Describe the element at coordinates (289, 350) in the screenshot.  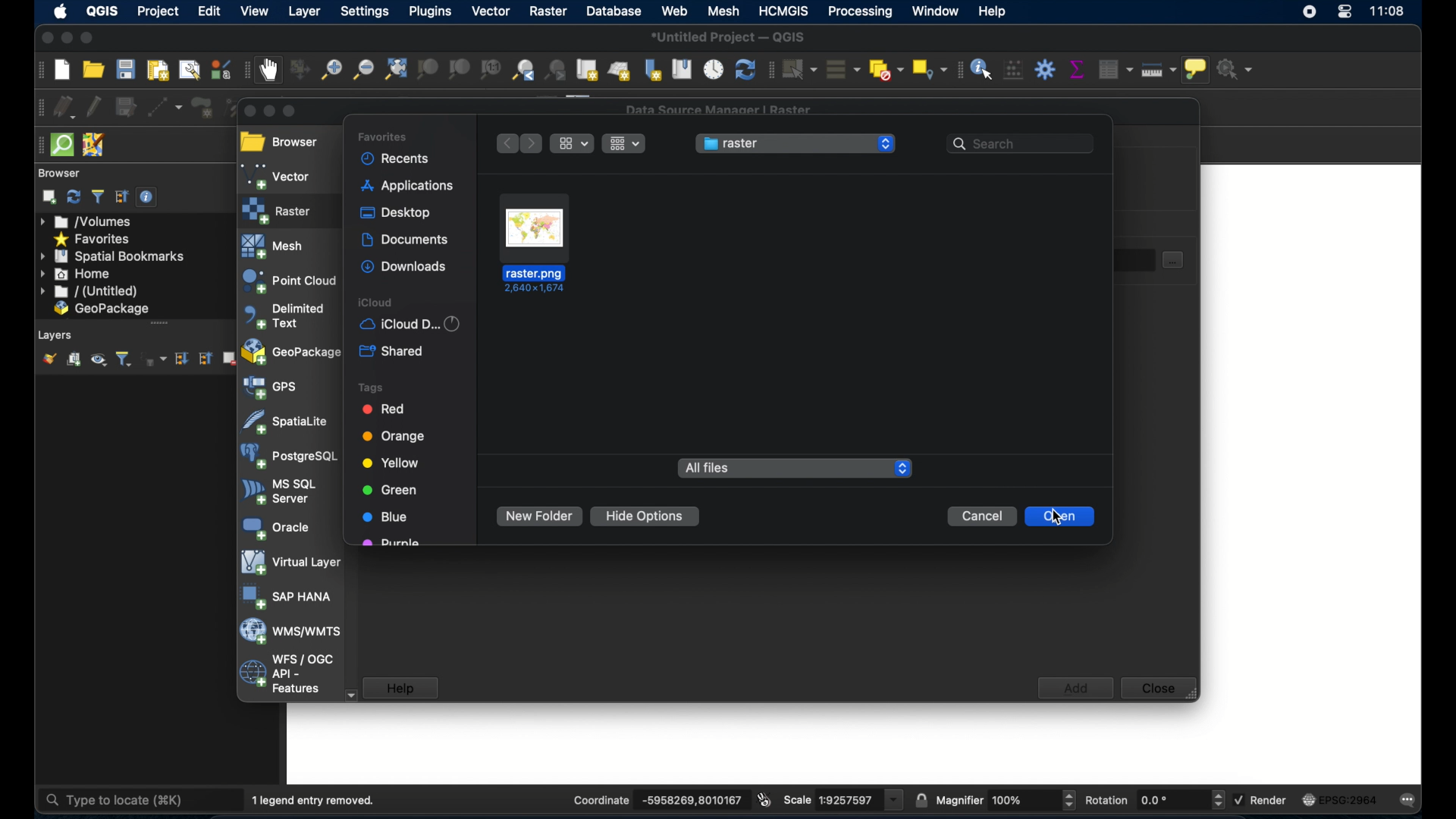
I see `geopackage` at that location.